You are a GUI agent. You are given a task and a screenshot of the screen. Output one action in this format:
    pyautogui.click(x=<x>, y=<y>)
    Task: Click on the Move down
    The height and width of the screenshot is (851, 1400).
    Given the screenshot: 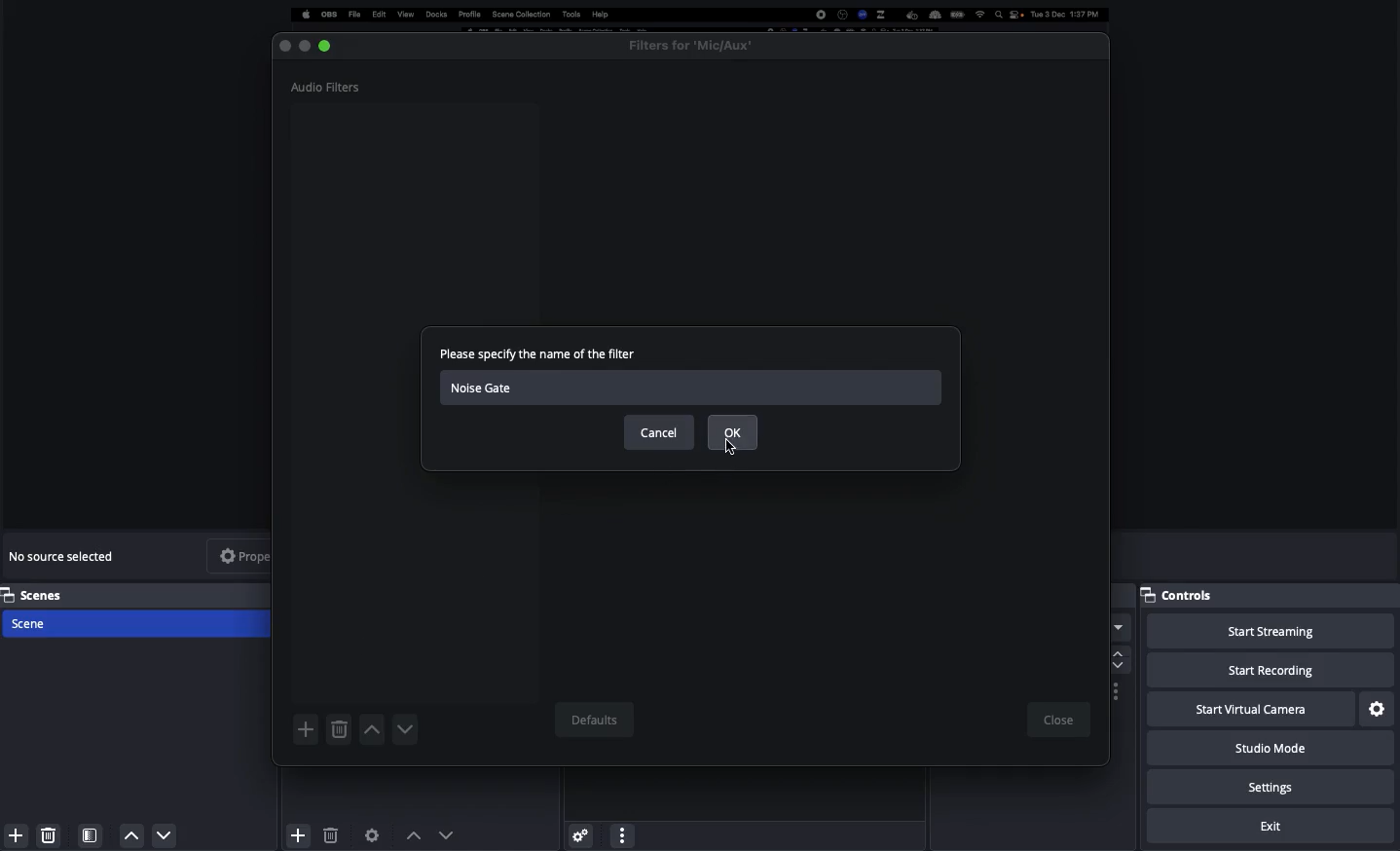 What is the action you would take?
    pyautogui.click(x=447, y=834)
    